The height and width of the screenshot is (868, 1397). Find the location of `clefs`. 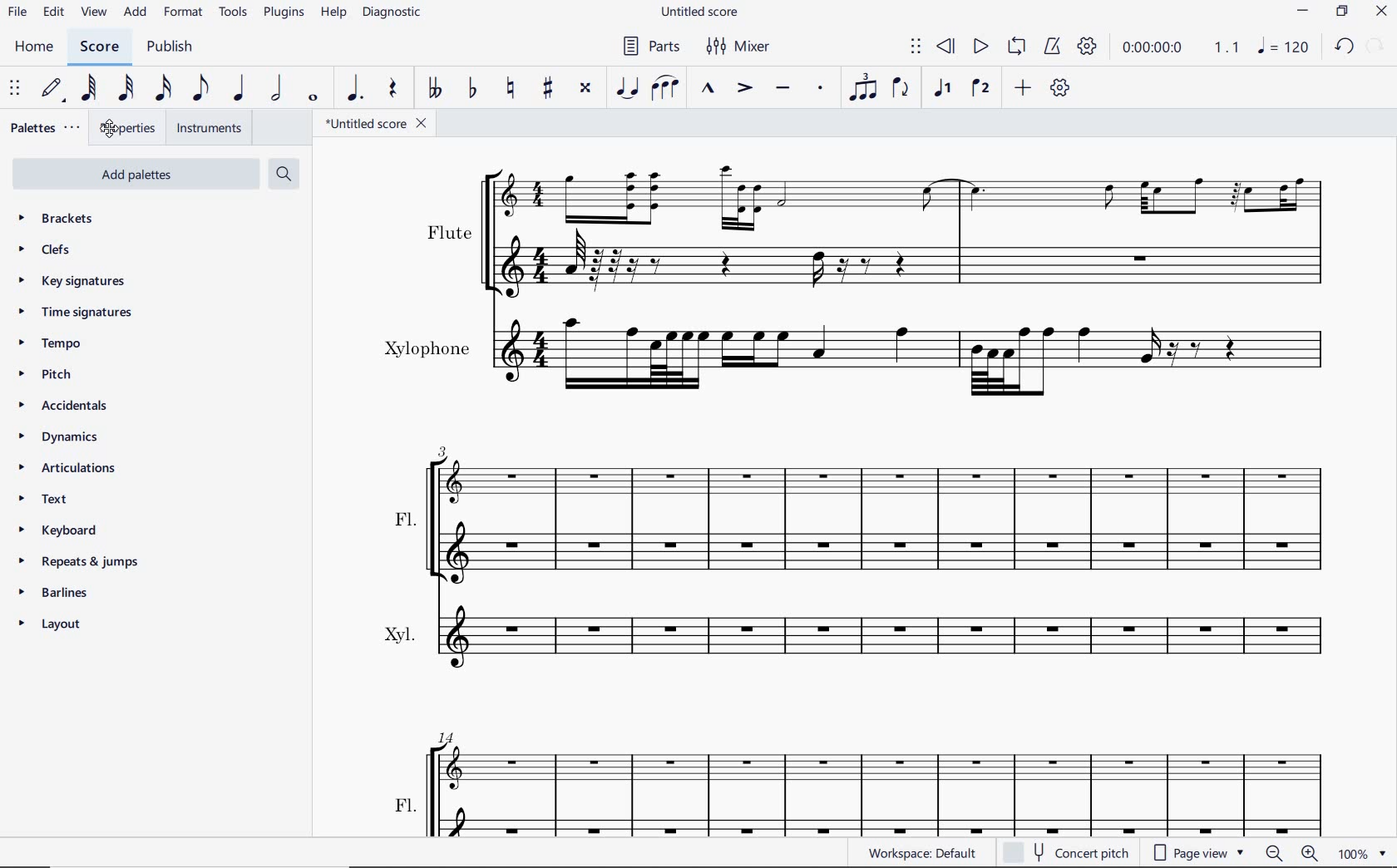

clefs is located at coordinates (45, 249).